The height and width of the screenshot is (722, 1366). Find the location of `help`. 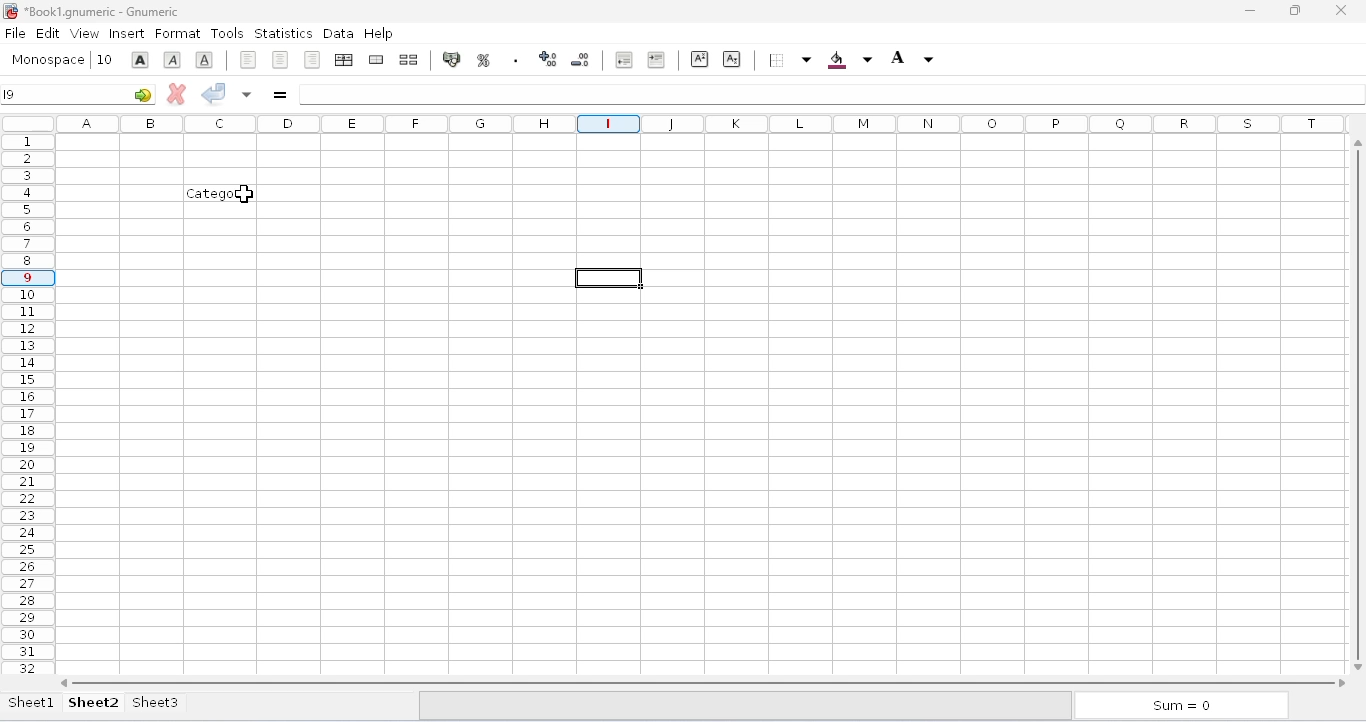

help is located at coordinates (378, 32).